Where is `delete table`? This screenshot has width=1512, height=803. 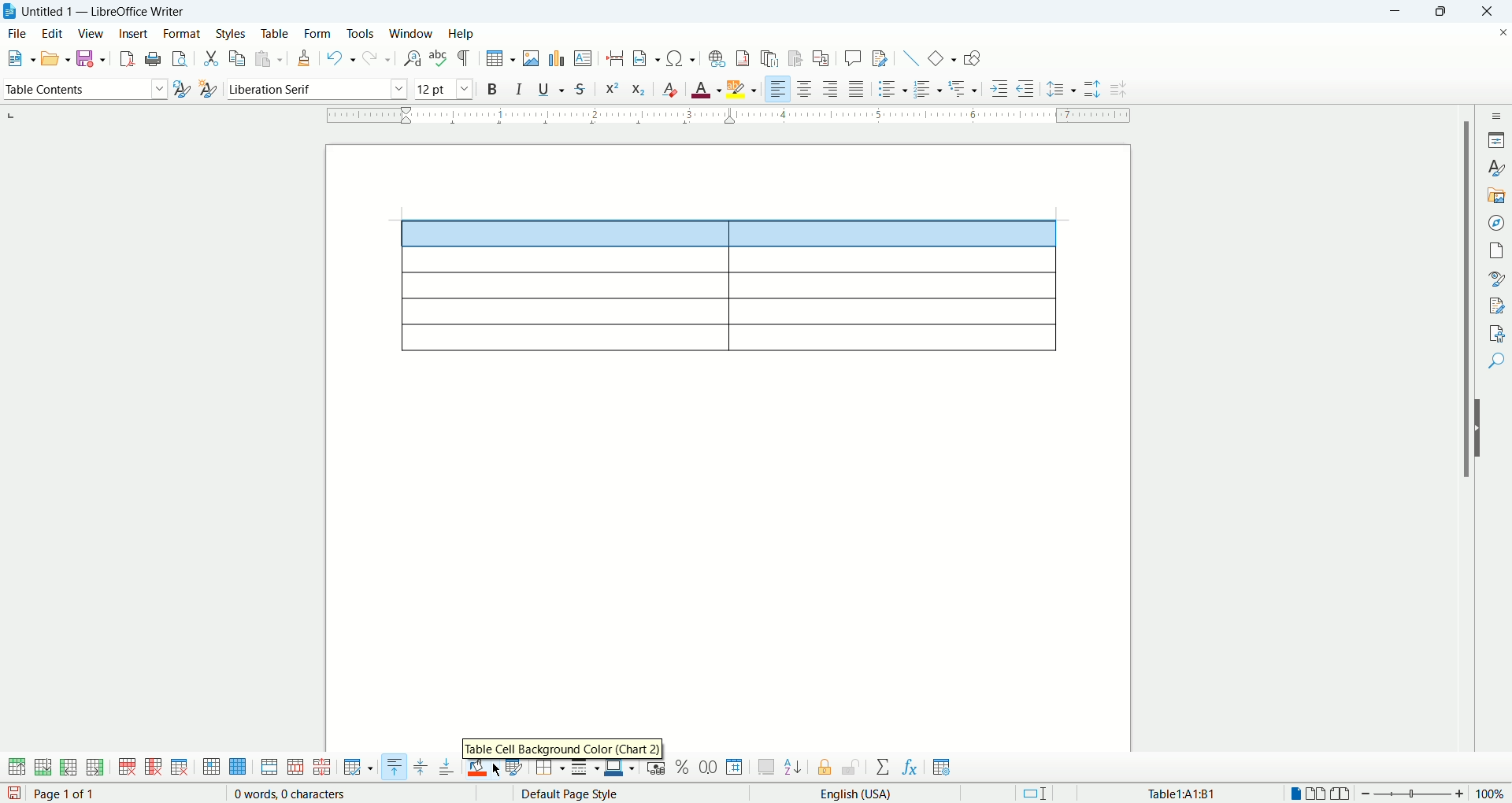 delete table is located at coordinates (180, 767).